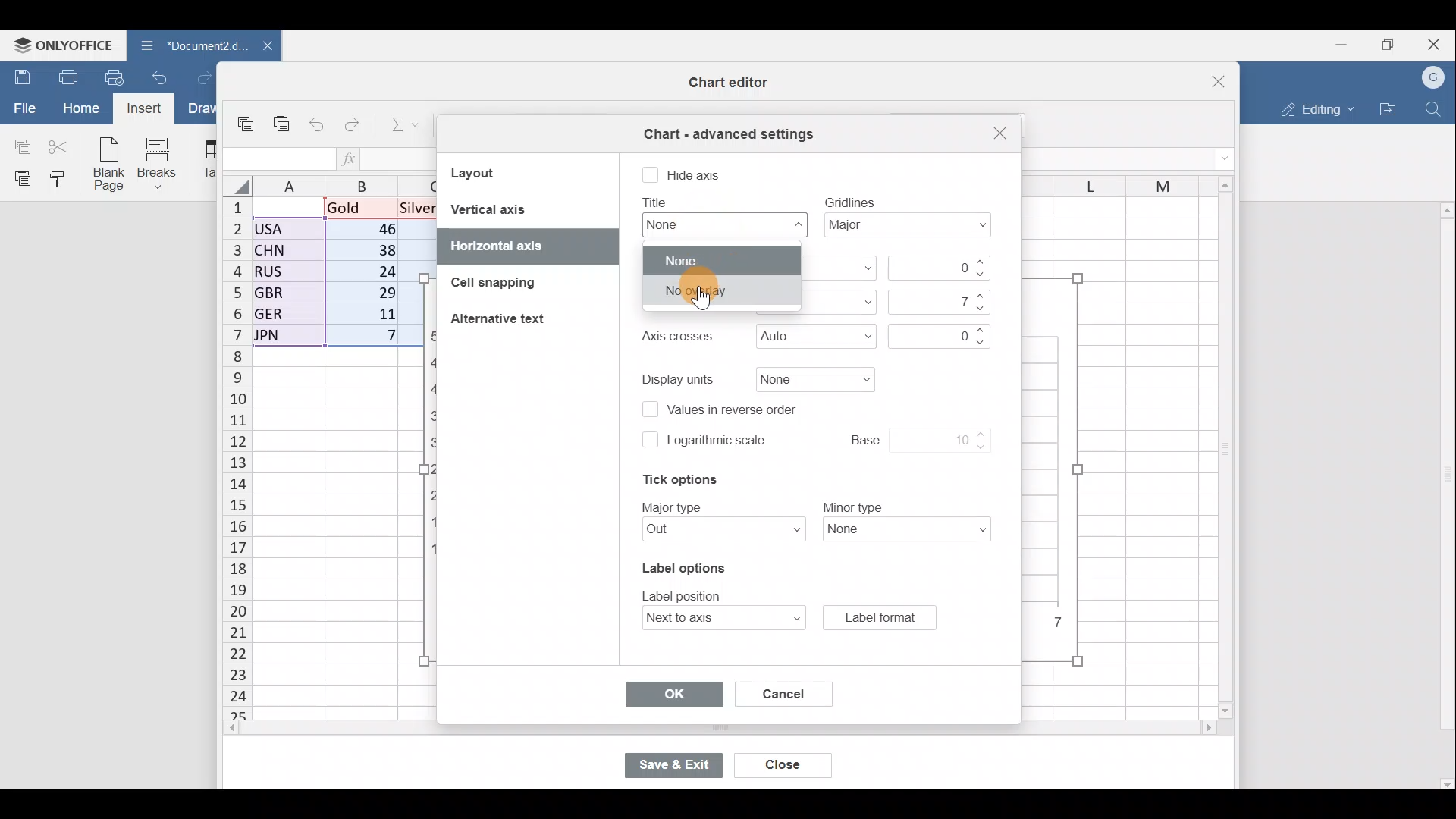  Describe the element at coordinates (165, 162) in the screenshot. I see `Breaks` at that location.